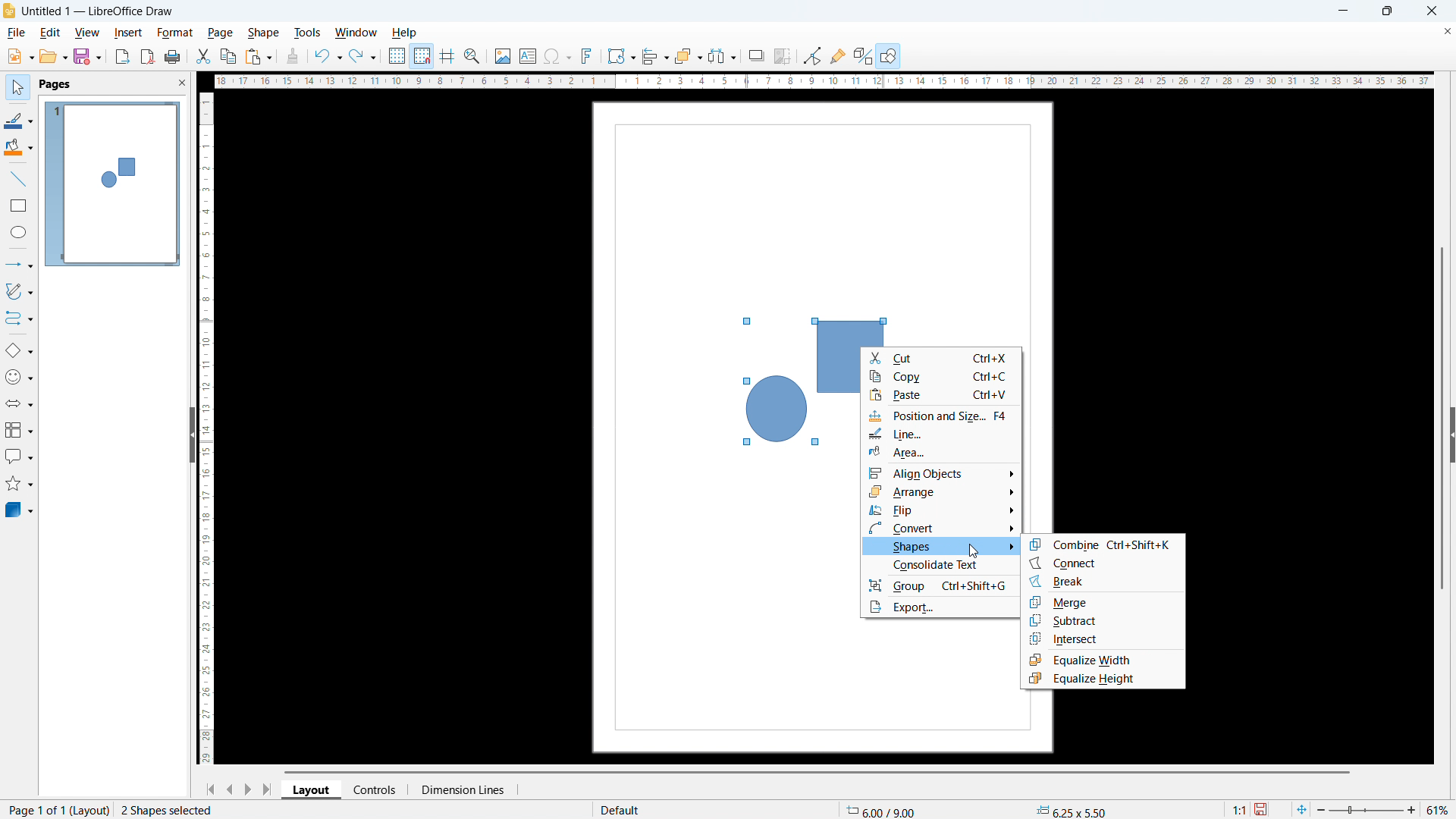  I want to click on file, so click(17, 33).